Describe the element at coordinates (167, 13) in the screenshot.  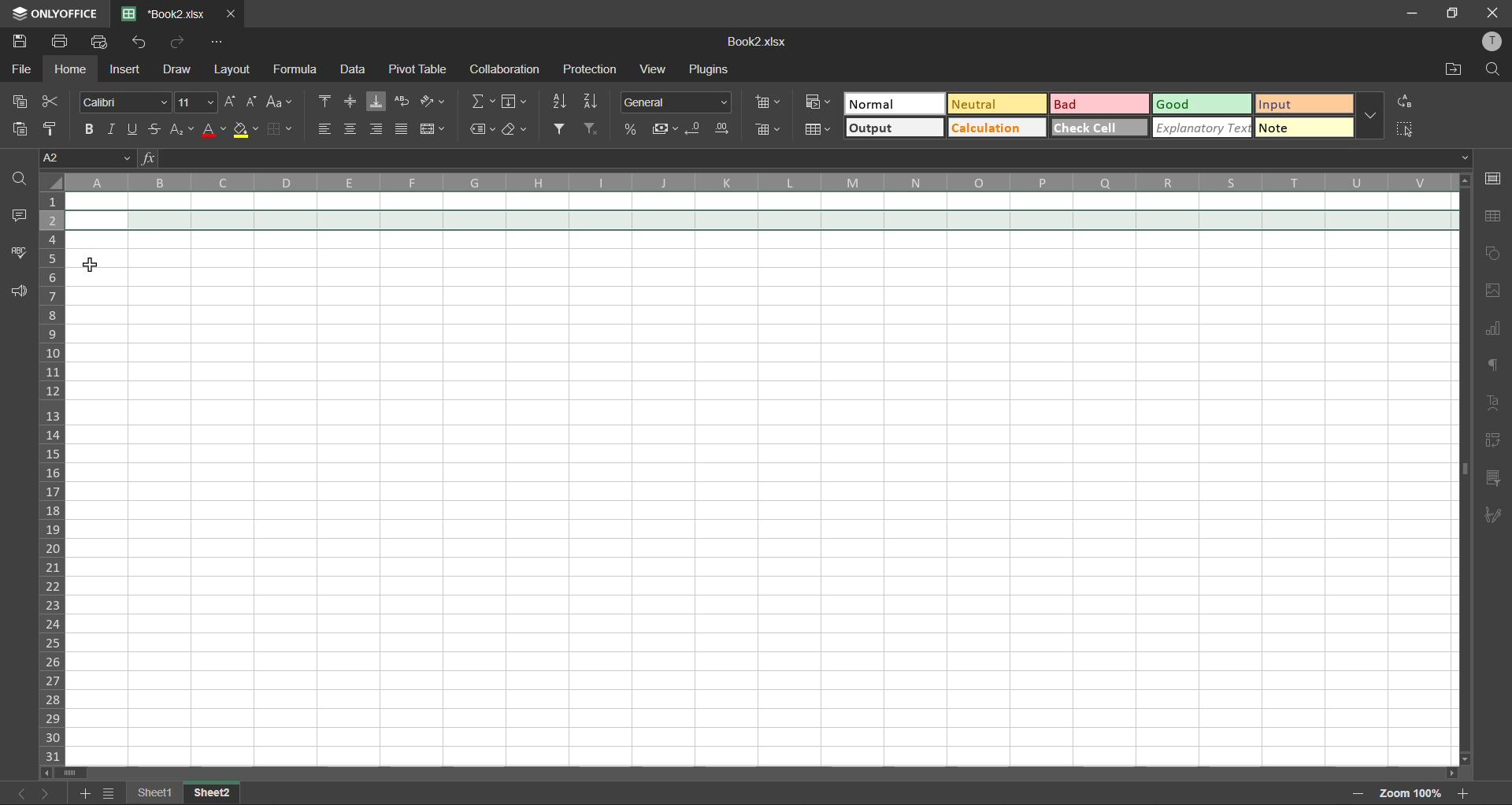
I see `Book2.xlsx` at that location.